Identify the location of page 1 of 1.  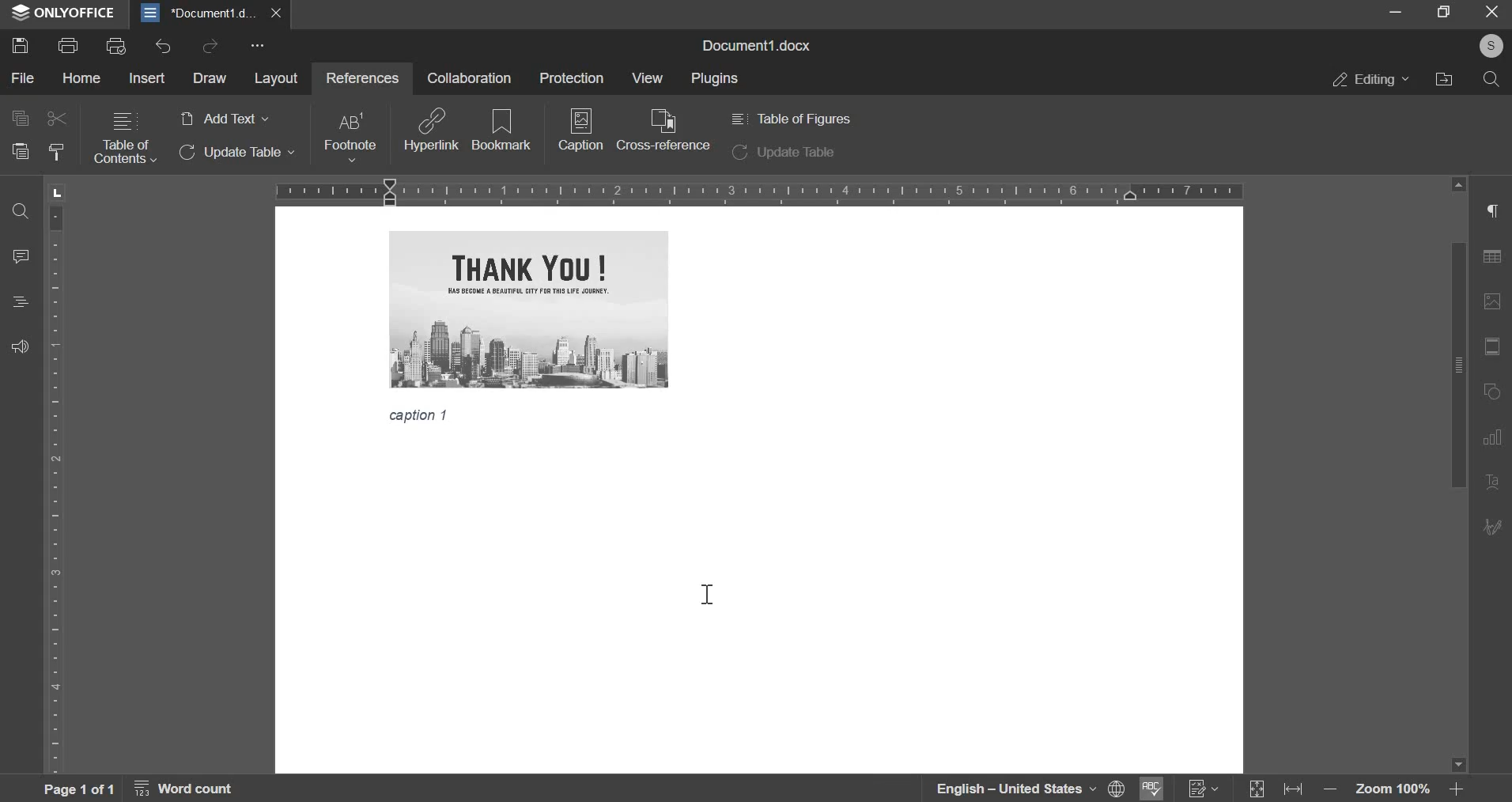
(76, 789).